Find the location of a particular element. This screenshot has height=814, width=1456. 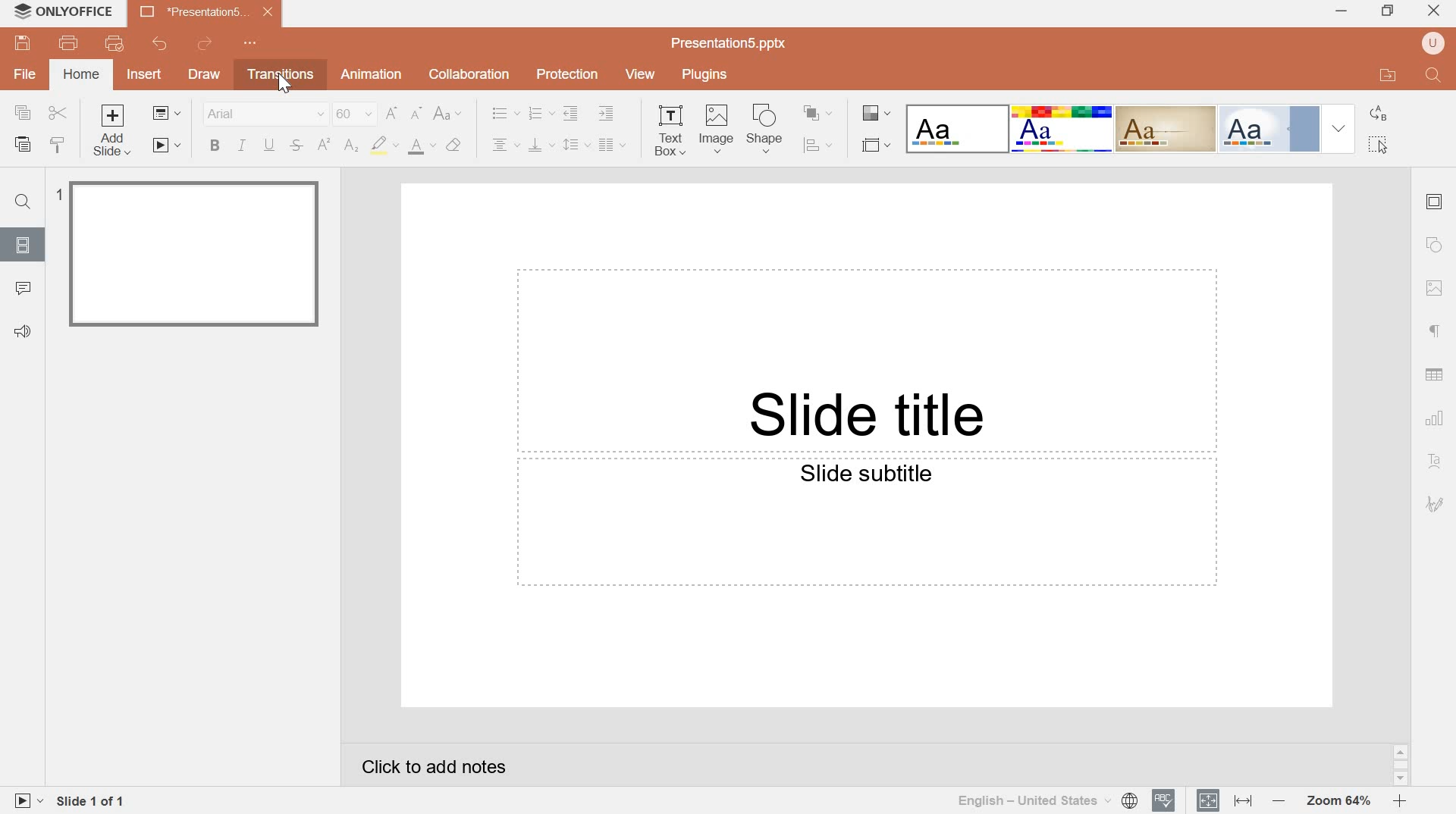

Text field is located at coordinates (865, 524).